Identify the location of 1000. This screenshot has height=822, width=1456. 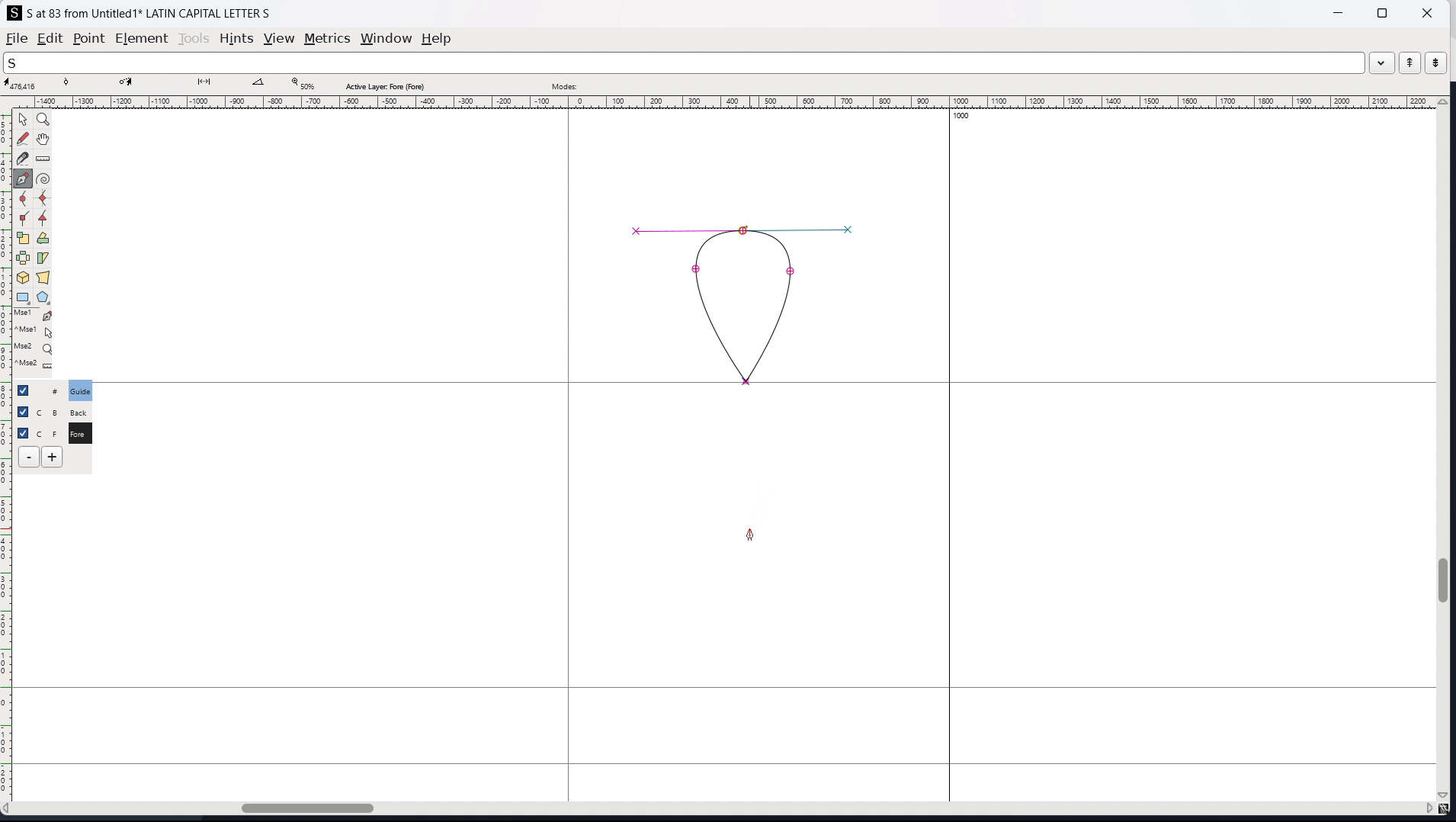
(966, 117).